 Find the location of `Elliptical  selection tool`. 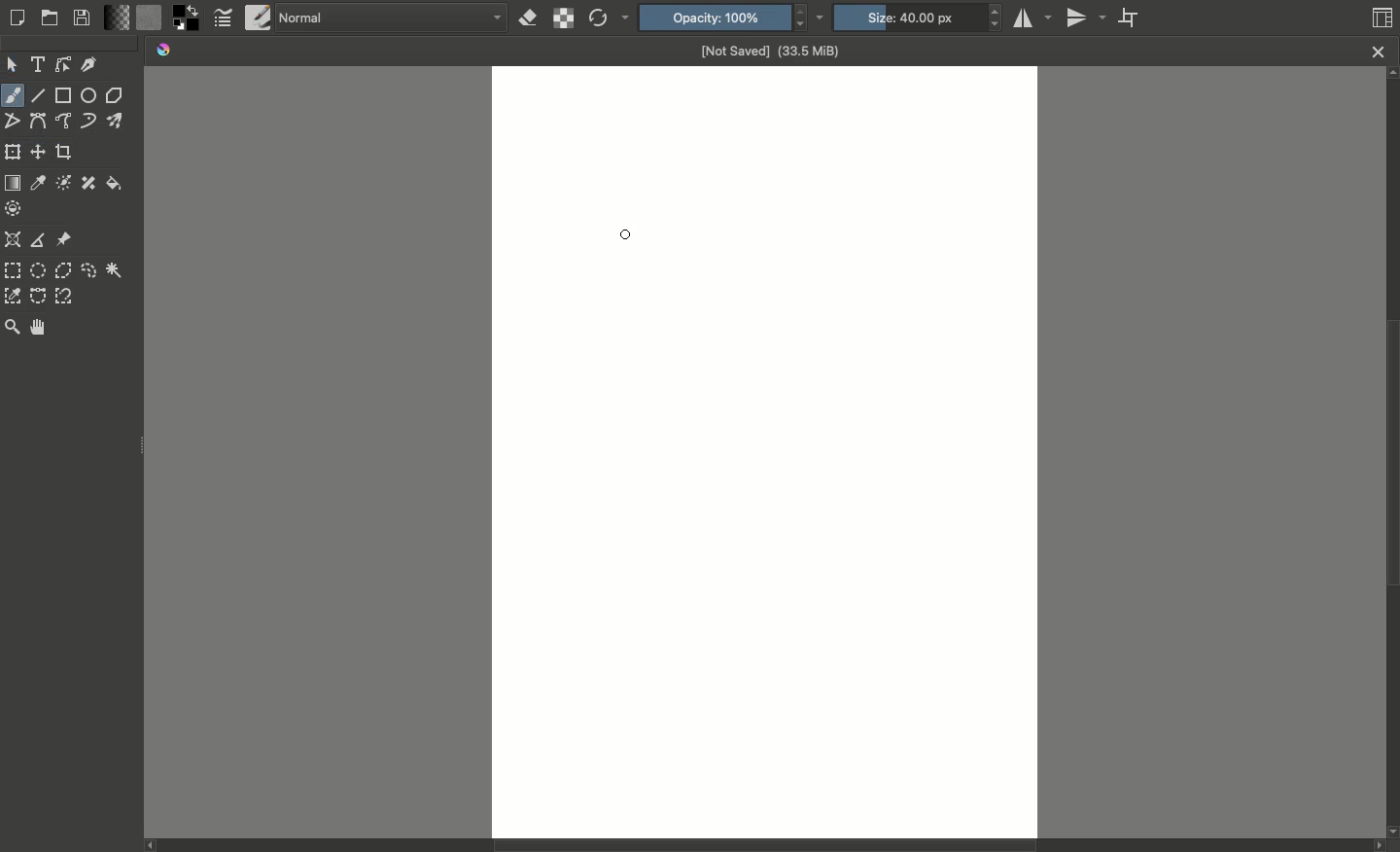

Elliptical  selection tool is located at coordinates (39, 269).